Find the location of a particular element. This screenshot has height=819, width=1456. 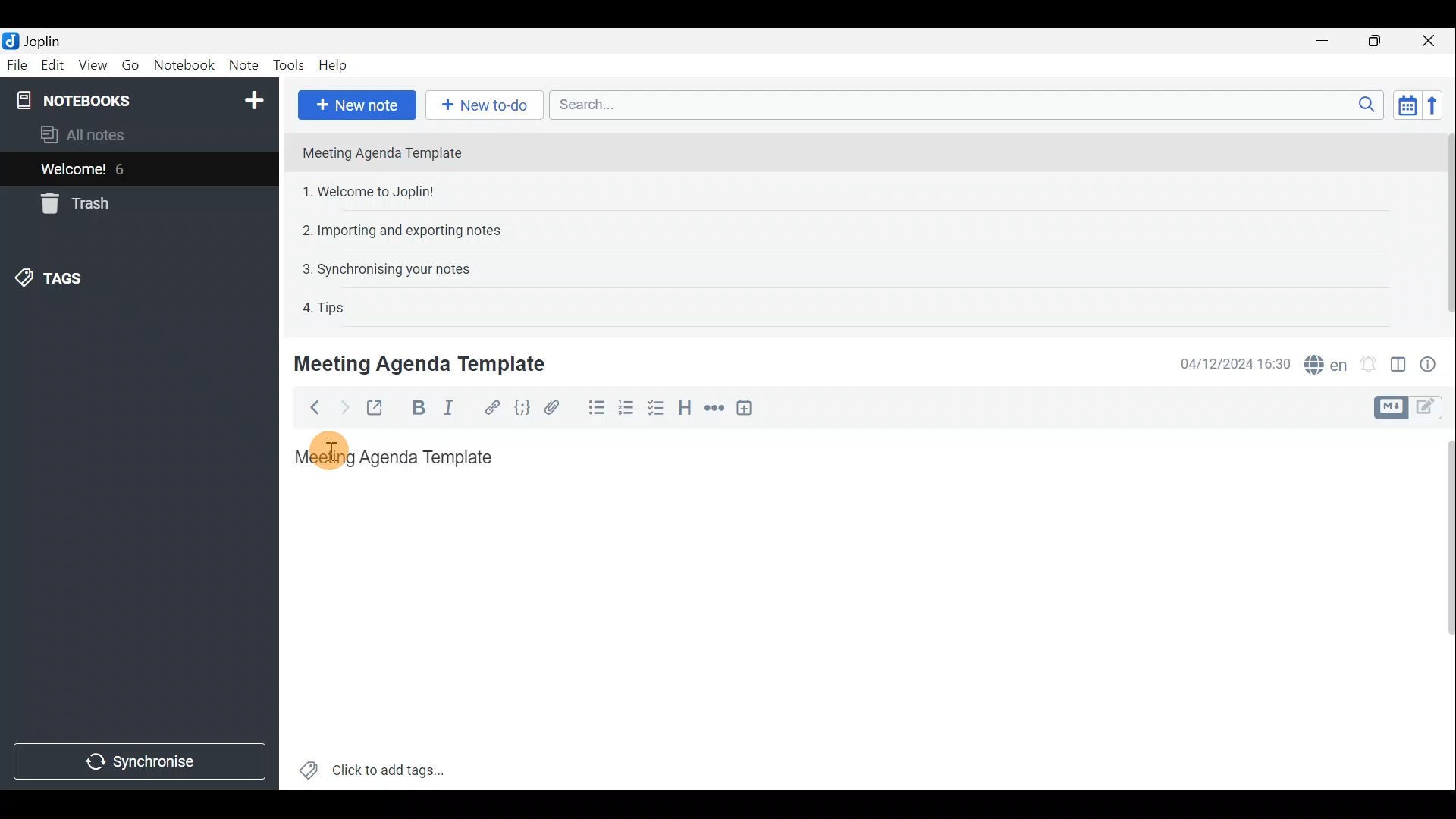

4. Tips is located at coordinates (325, 307).